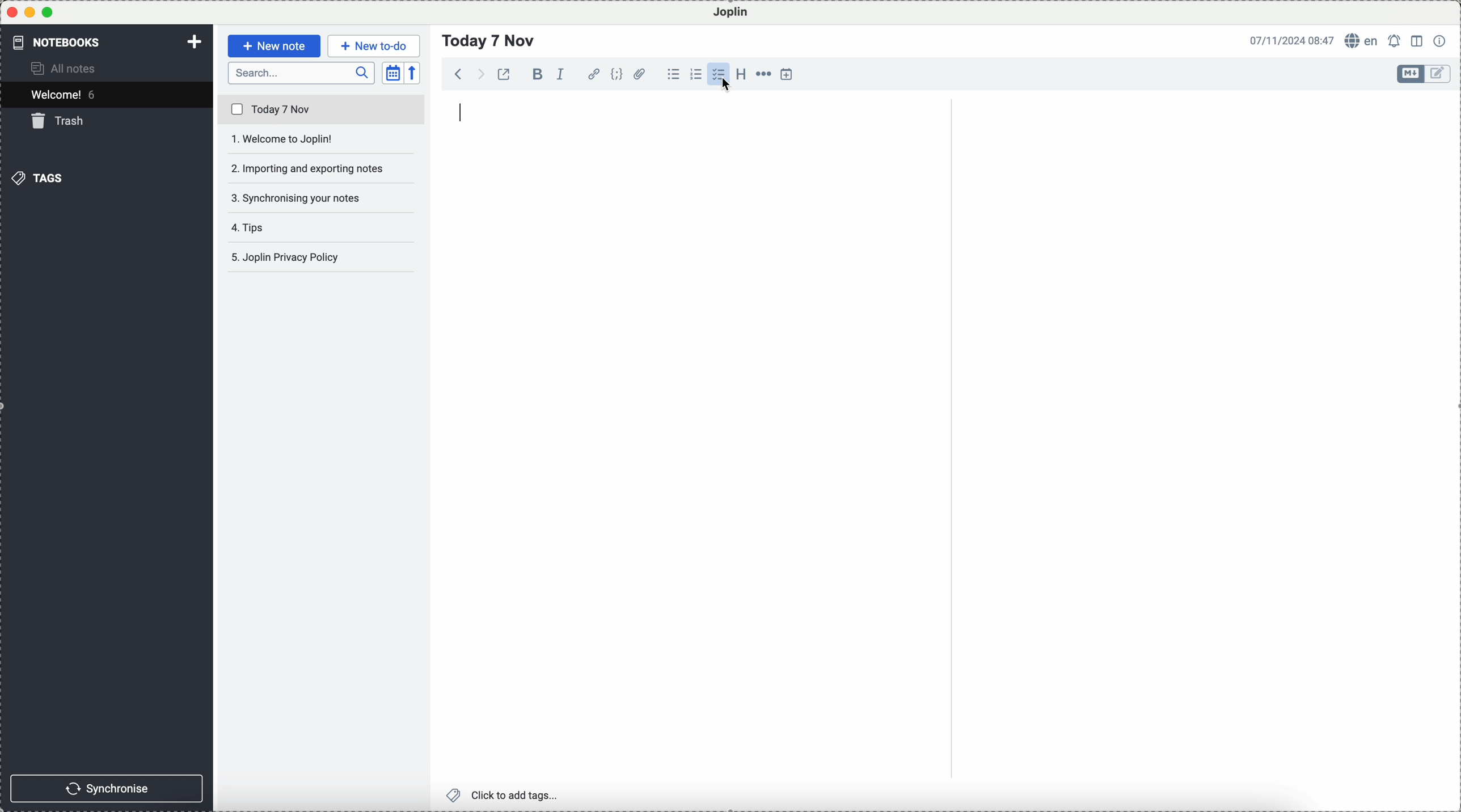 The height and width of the screenshot is (812, 1461). I want to click on toggle editor layout, so click(1418, 41).